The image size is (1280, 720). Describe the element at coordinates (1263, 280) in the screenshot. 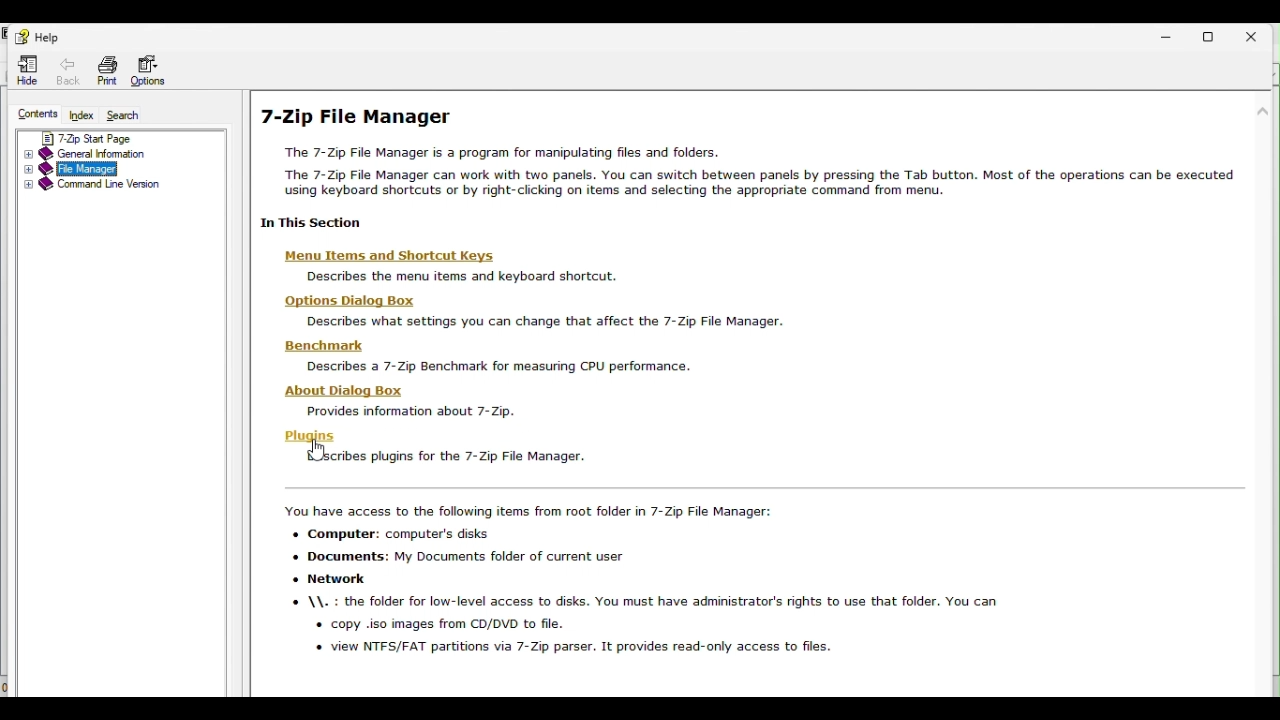

I see `scroll bar` at that location.